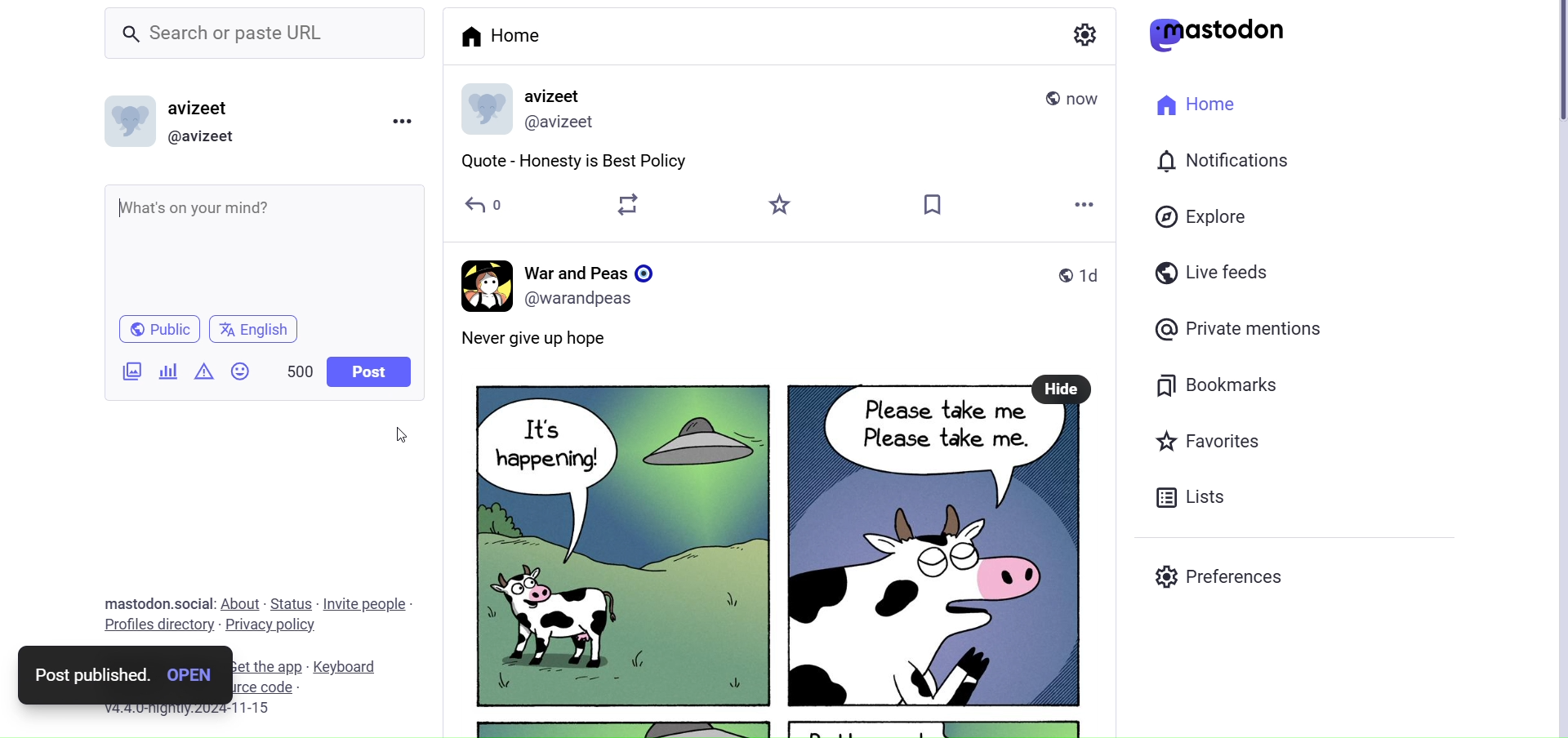 The width and height of the screenshot is (1568, 738). I want to click on @avizeet, so click(209, 136).